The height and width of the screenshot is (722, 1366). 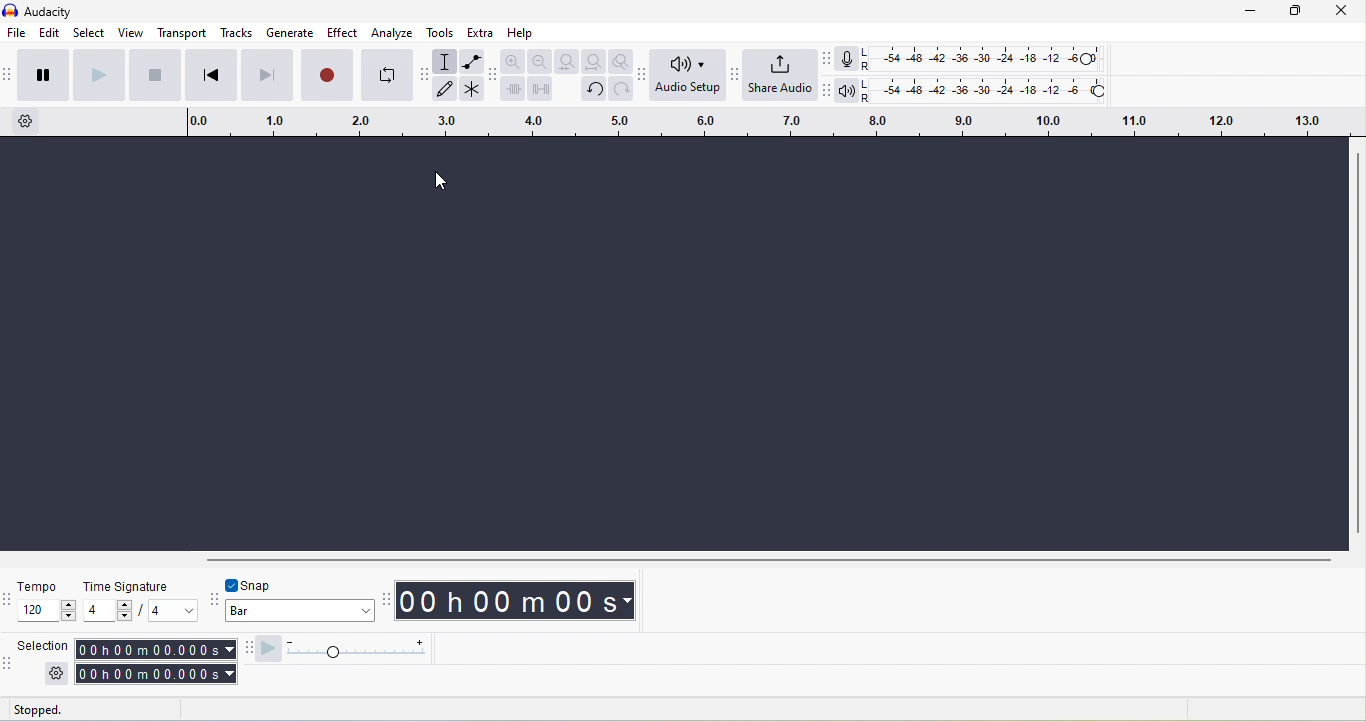 I want to click on vertical scroll bar, so click(x=1356, y=342).